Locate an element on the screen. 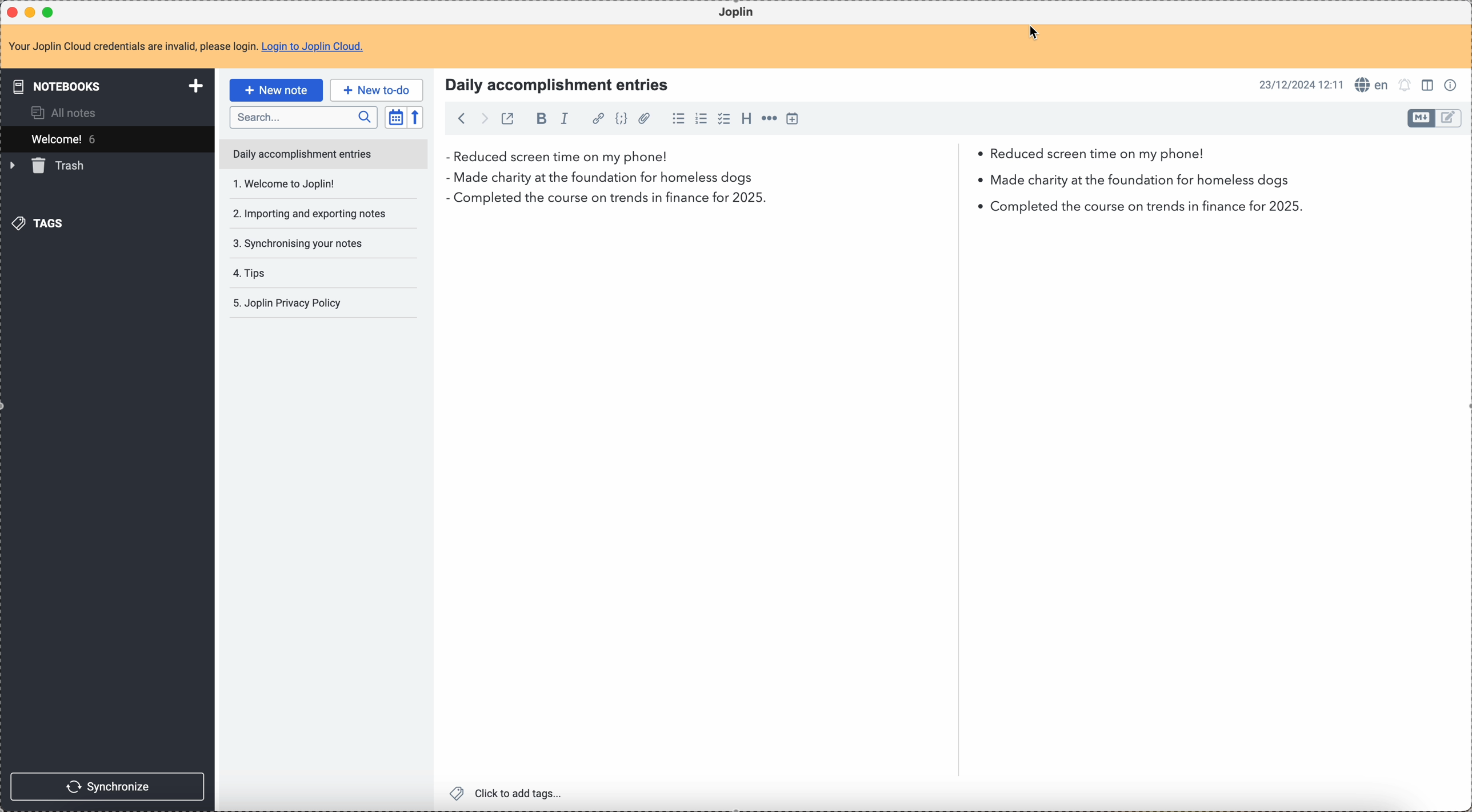  heading is located at coordinates (746, 119).